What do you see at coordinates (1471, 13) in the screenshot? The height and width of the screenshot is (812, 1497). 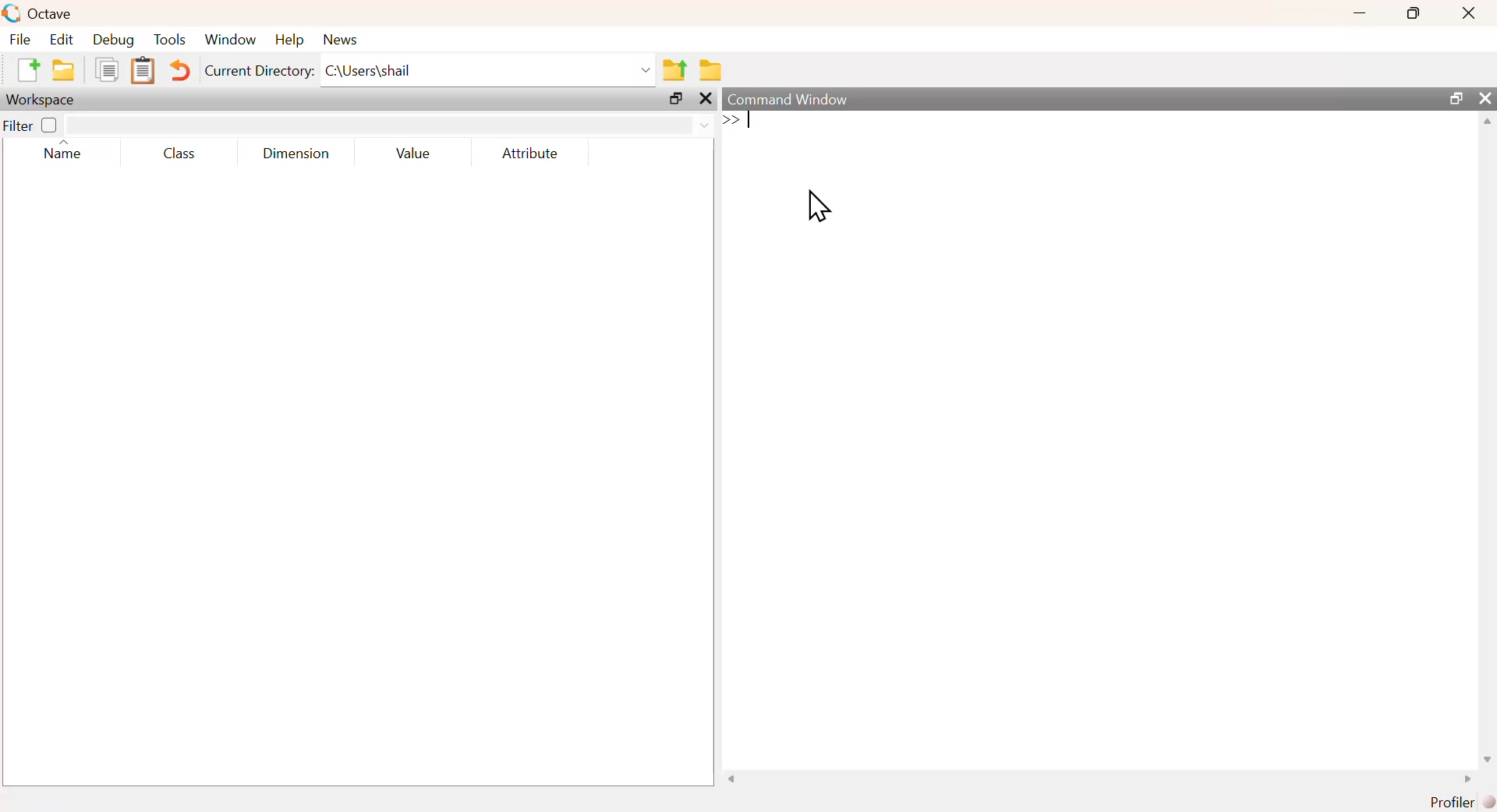 I see `close` at bounding box center [1471, 13].